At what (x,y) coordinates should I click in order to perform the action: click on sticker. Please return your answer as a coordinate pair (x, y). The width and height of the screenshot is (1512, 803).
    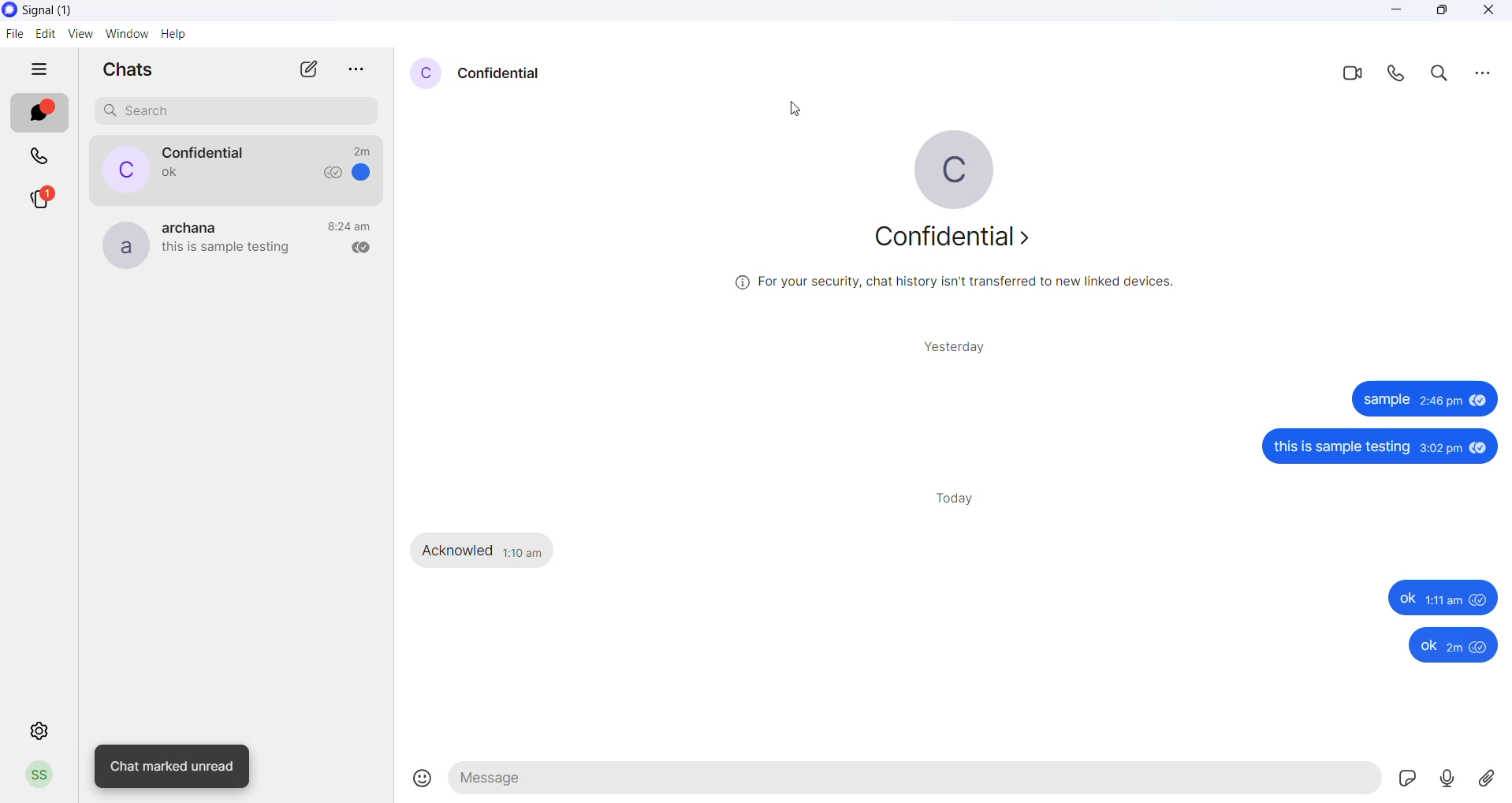
    Looking at the image, I should click on (1406, 782).